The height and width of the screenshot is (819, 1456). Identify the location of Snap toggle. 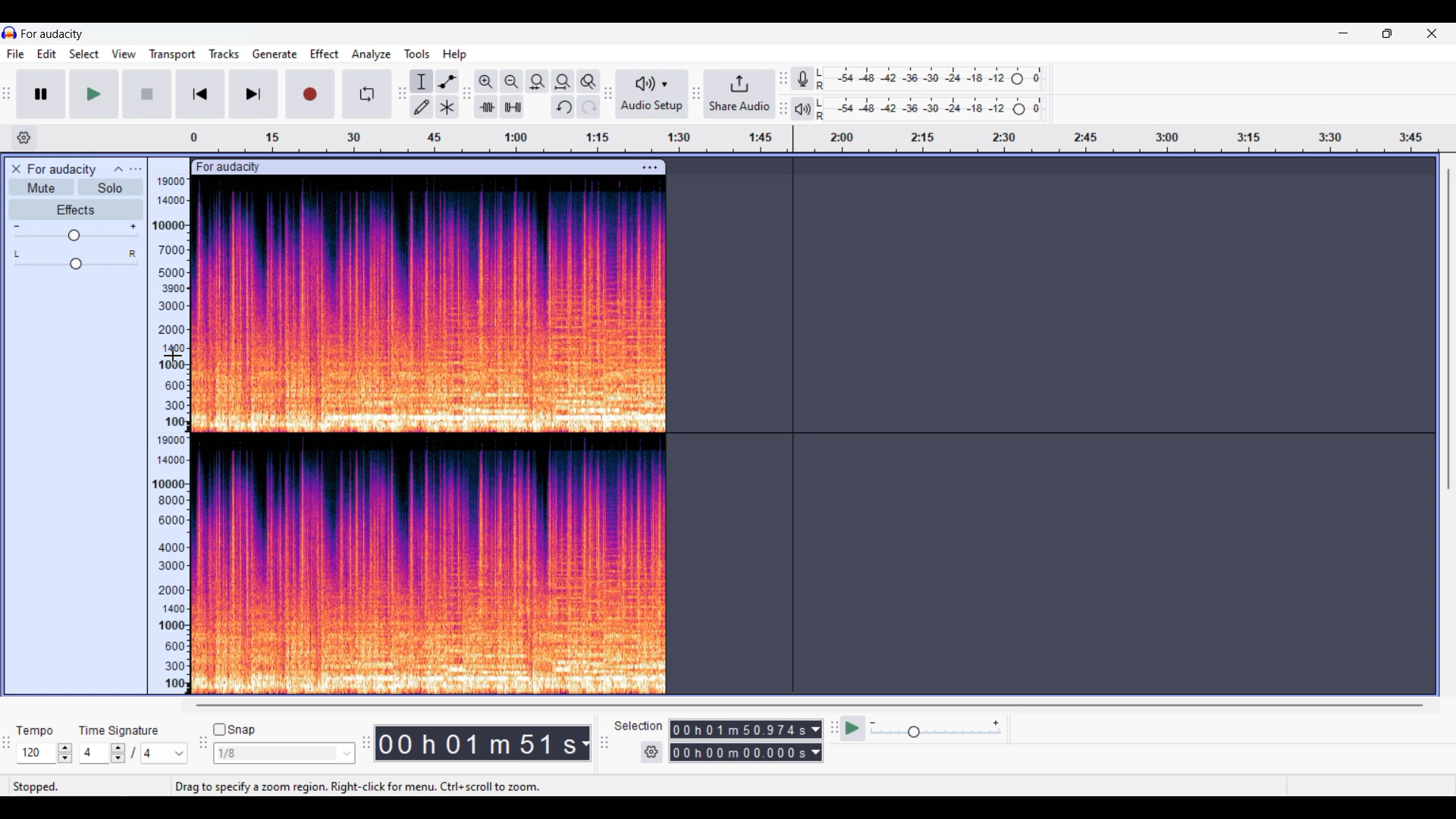
(235, 730).